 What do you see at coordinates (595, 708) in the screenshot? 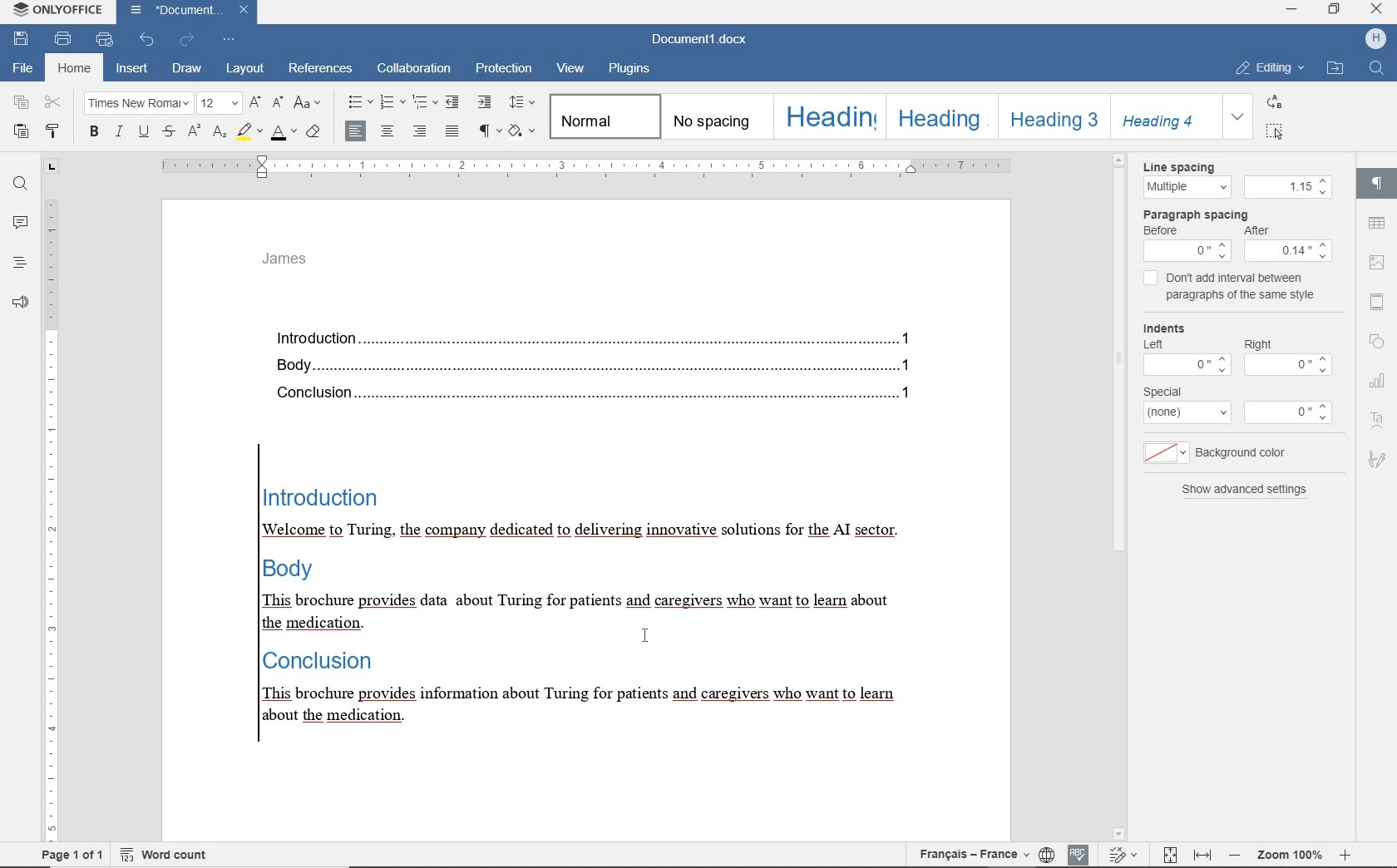
I see `This brochure provides information about Turing for patients and caregivers who want to learn
about the medication.` at bounding box center [595, 708].